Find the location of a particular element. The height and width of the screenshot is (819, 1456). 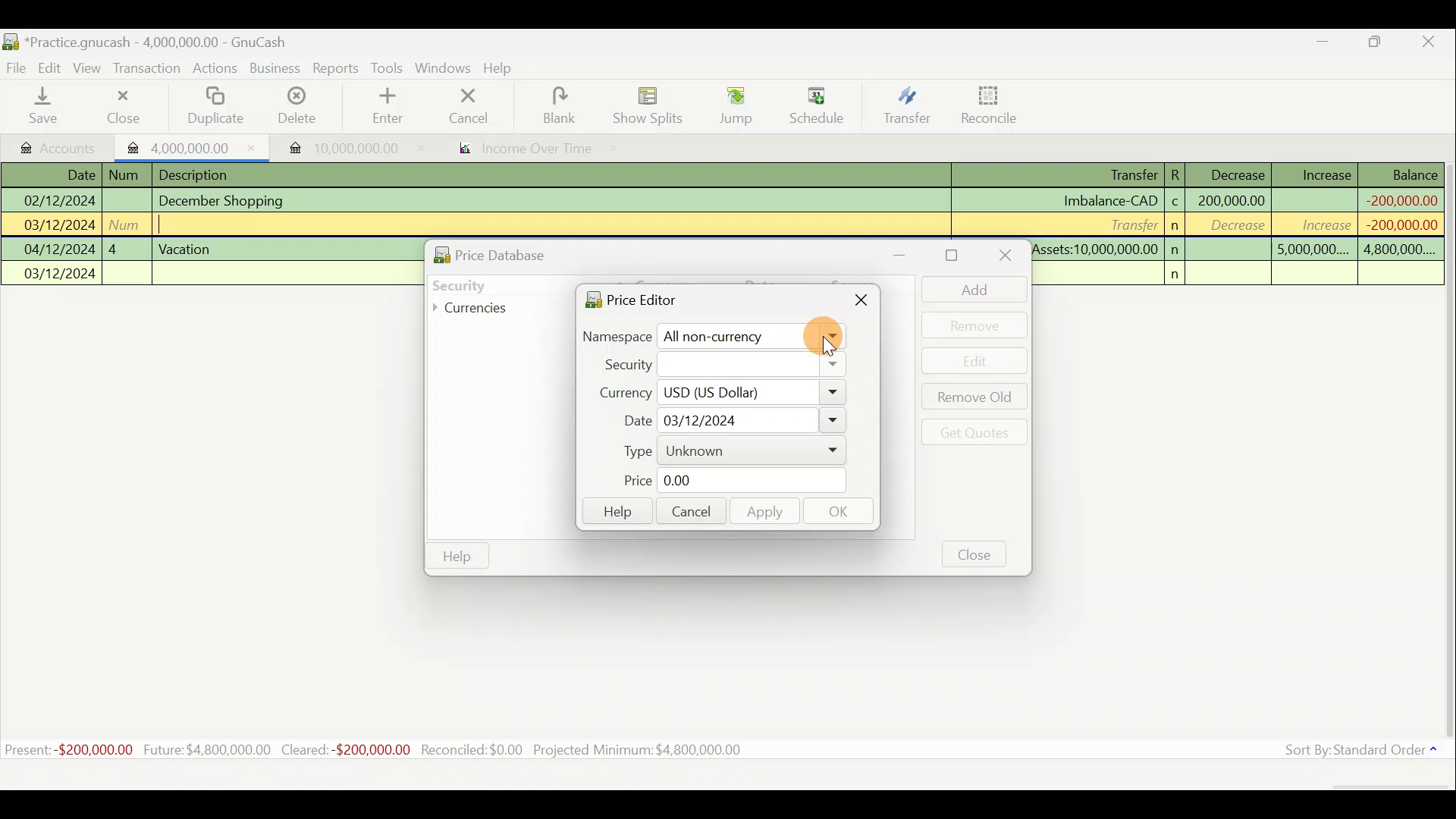

Help is located at coordinates (457, 557).